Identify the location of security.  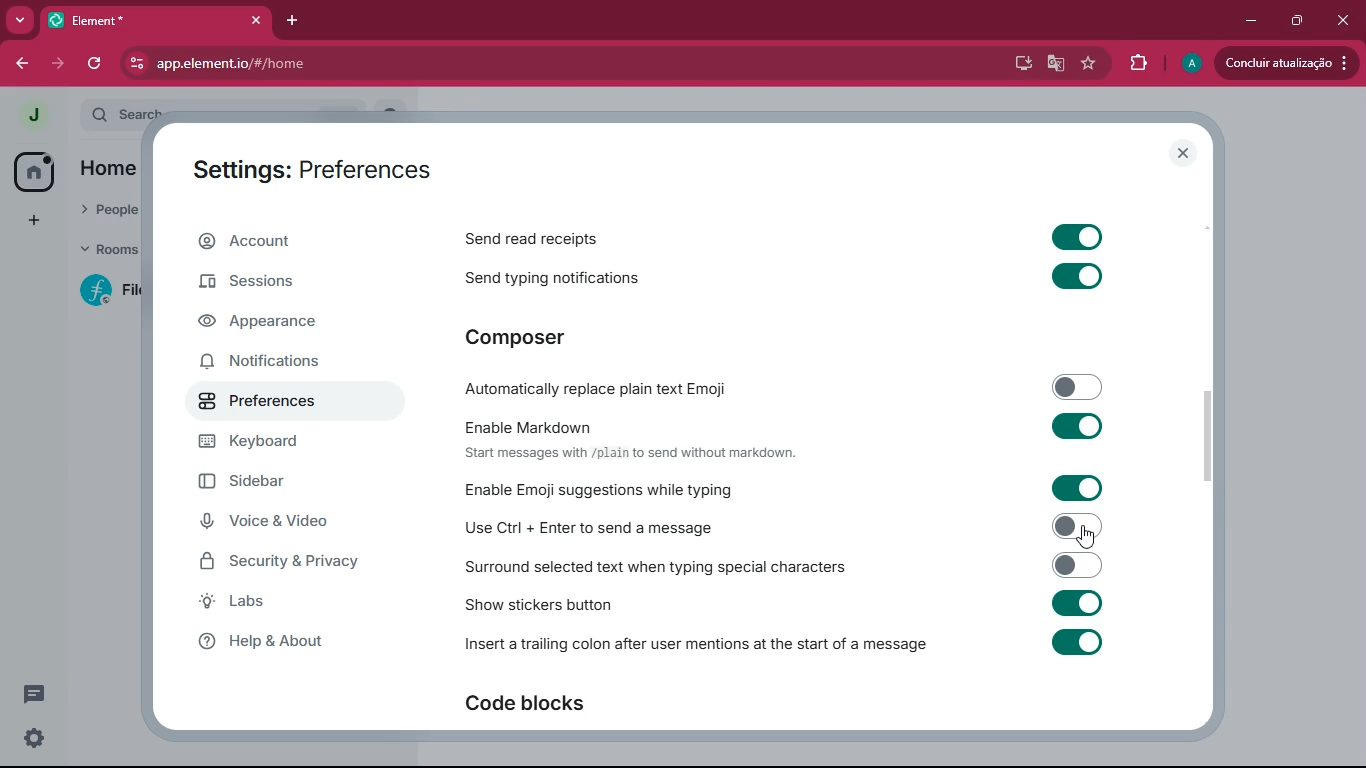
(296, 561).